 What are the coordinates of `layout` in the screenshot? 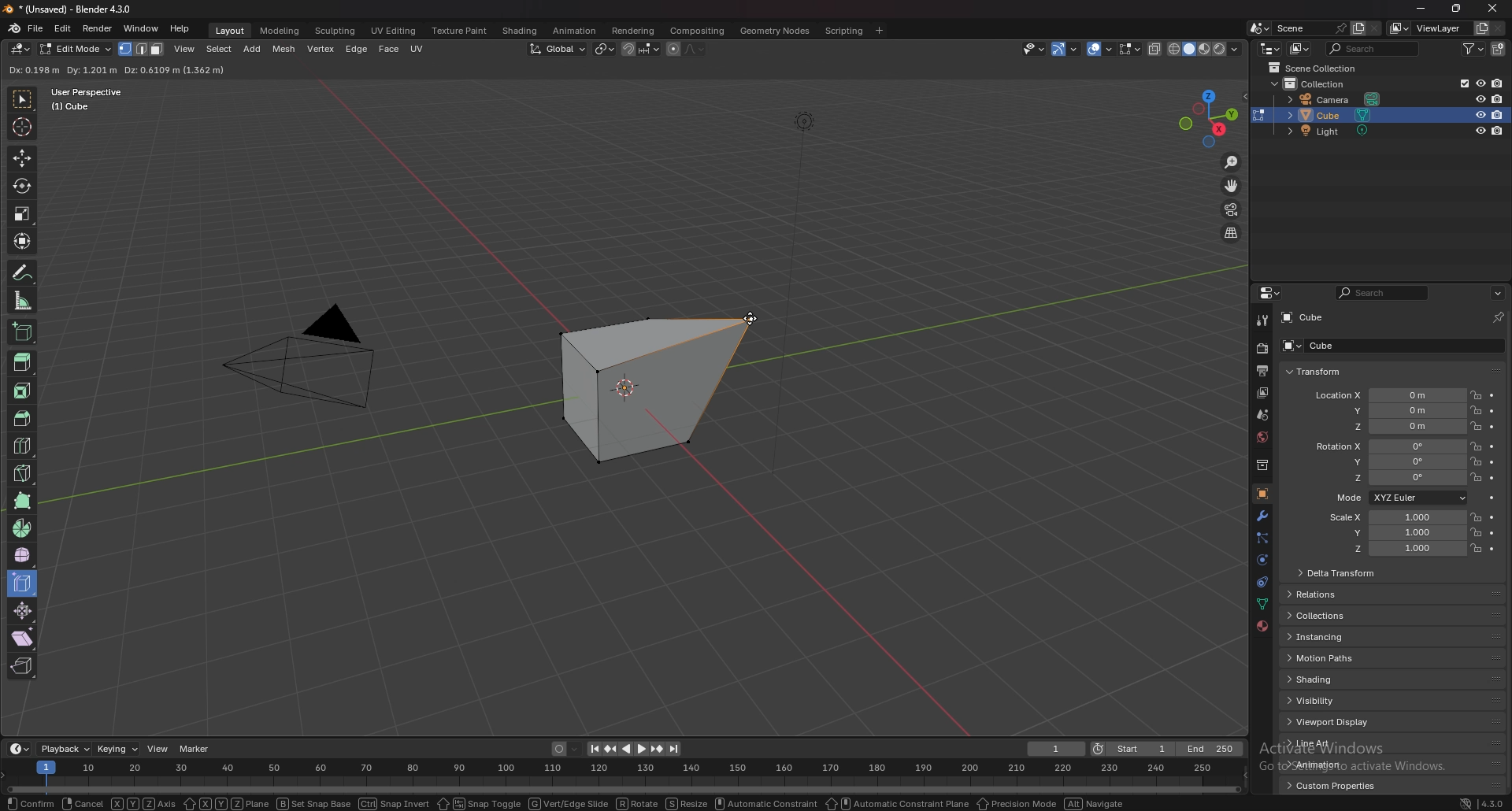 It's located at (231, 31).